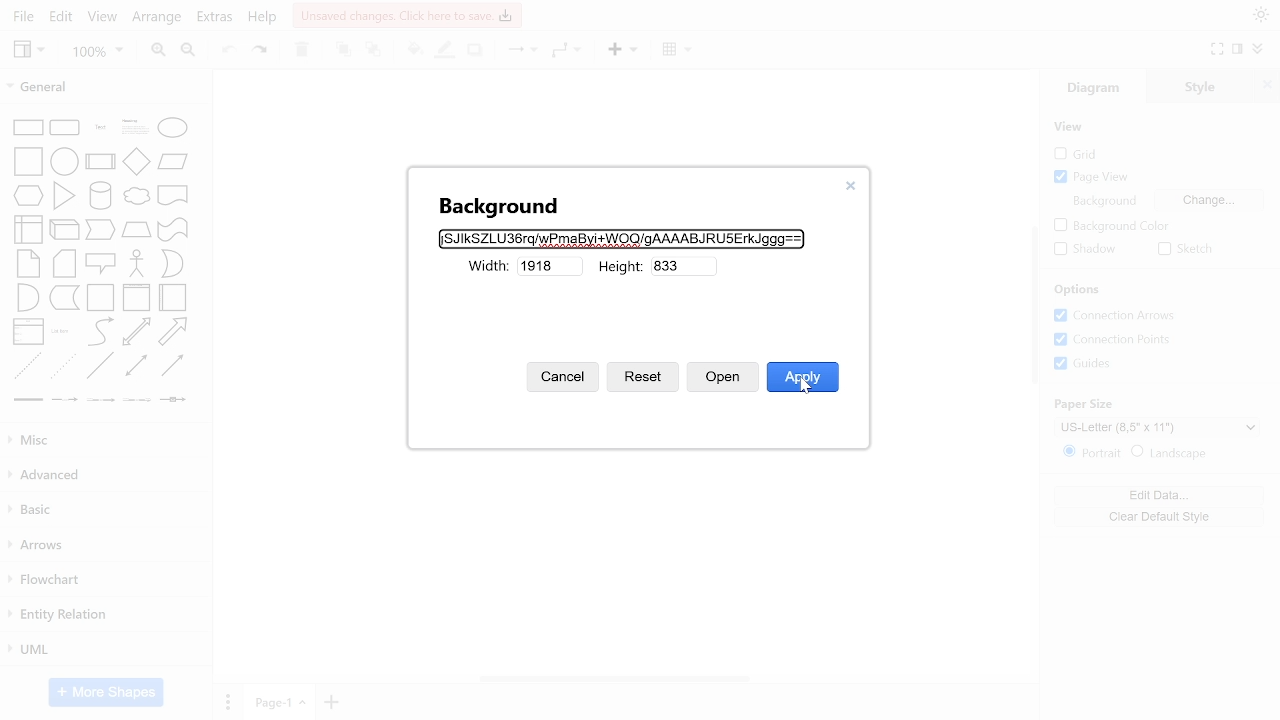 Image resolution: width=1280 pixels, height=720 pixels. What do you see at coordinates (20, 17) in the screenshot?
I see `File` at bounding box center [20, 17].